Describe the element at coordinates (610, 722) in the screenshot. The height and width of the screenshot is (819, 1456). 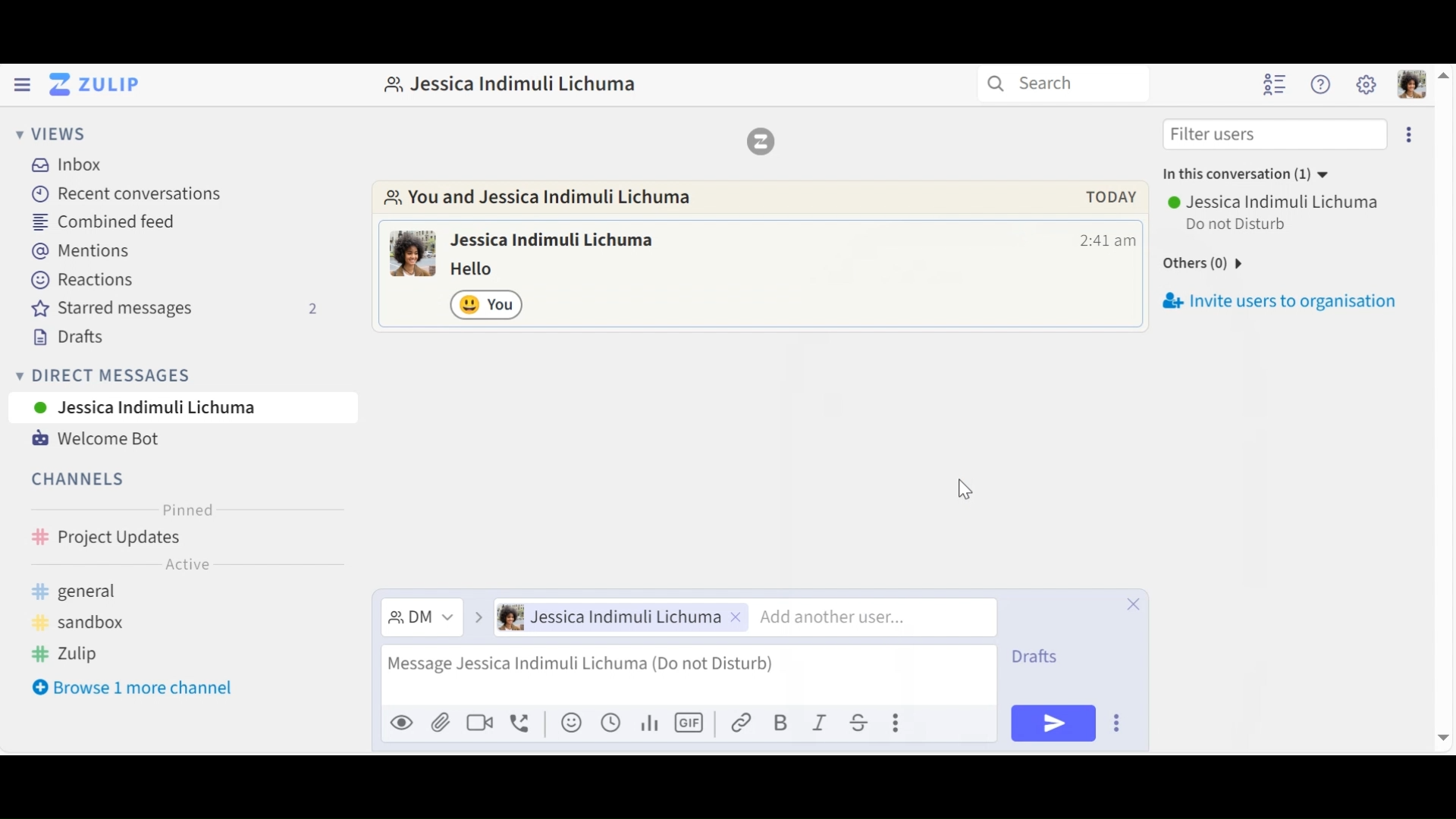
I see `Add global time` at that location.